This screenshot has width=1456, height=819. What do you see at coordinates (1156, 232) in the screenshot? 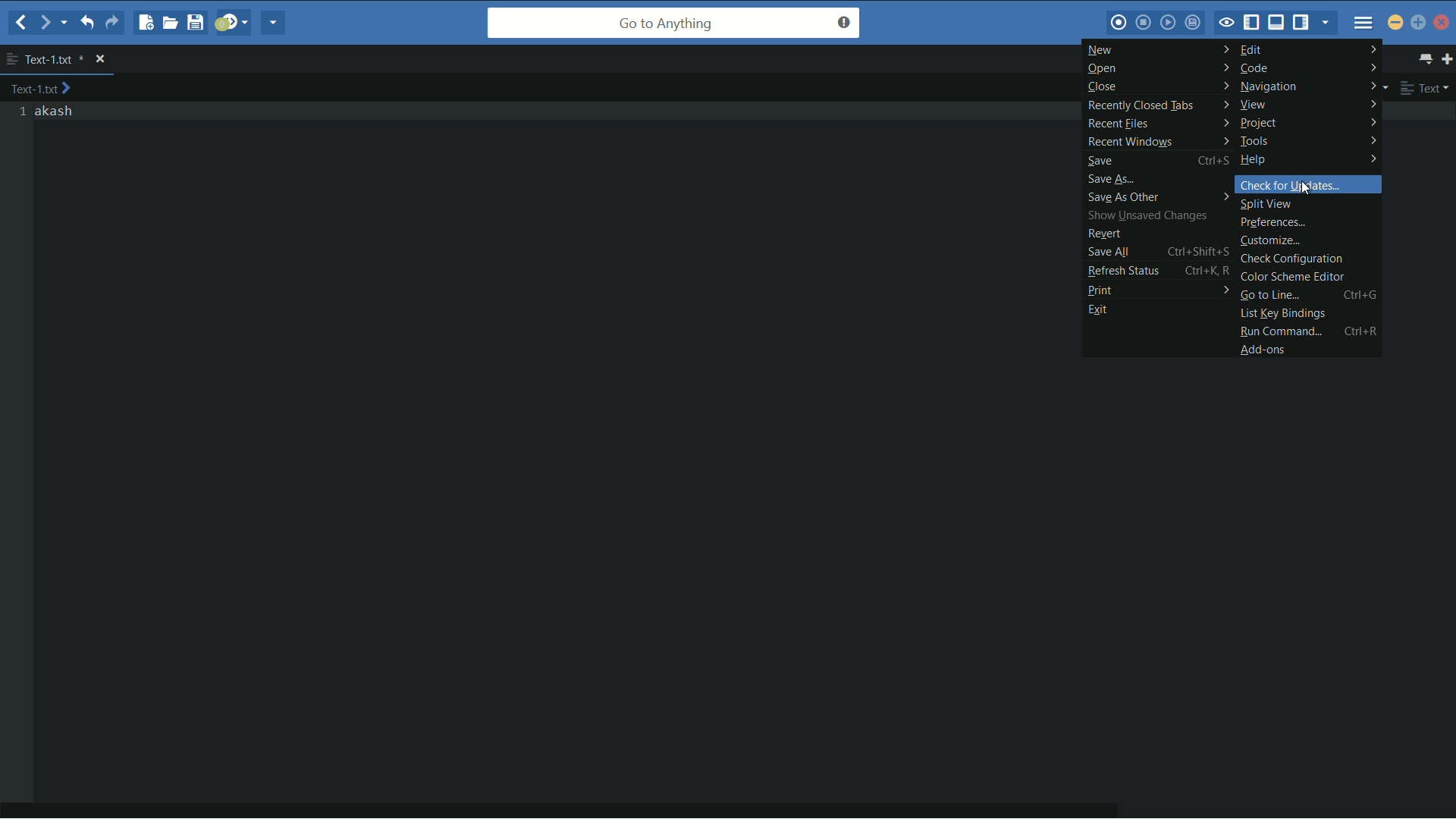
I see `revert` at bounding box center [1156, 232].